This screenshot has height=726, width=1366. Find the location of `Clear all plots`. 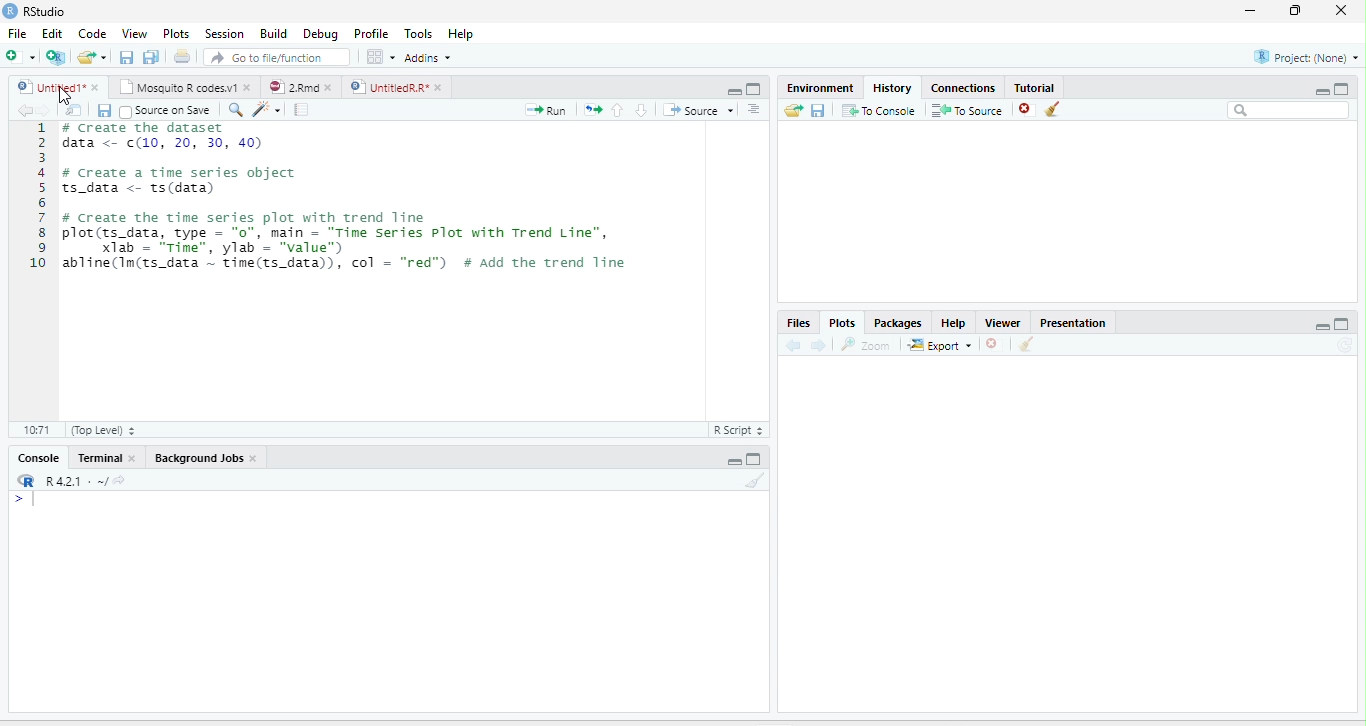

Clear all plots is located at coordinates (1027, 344).